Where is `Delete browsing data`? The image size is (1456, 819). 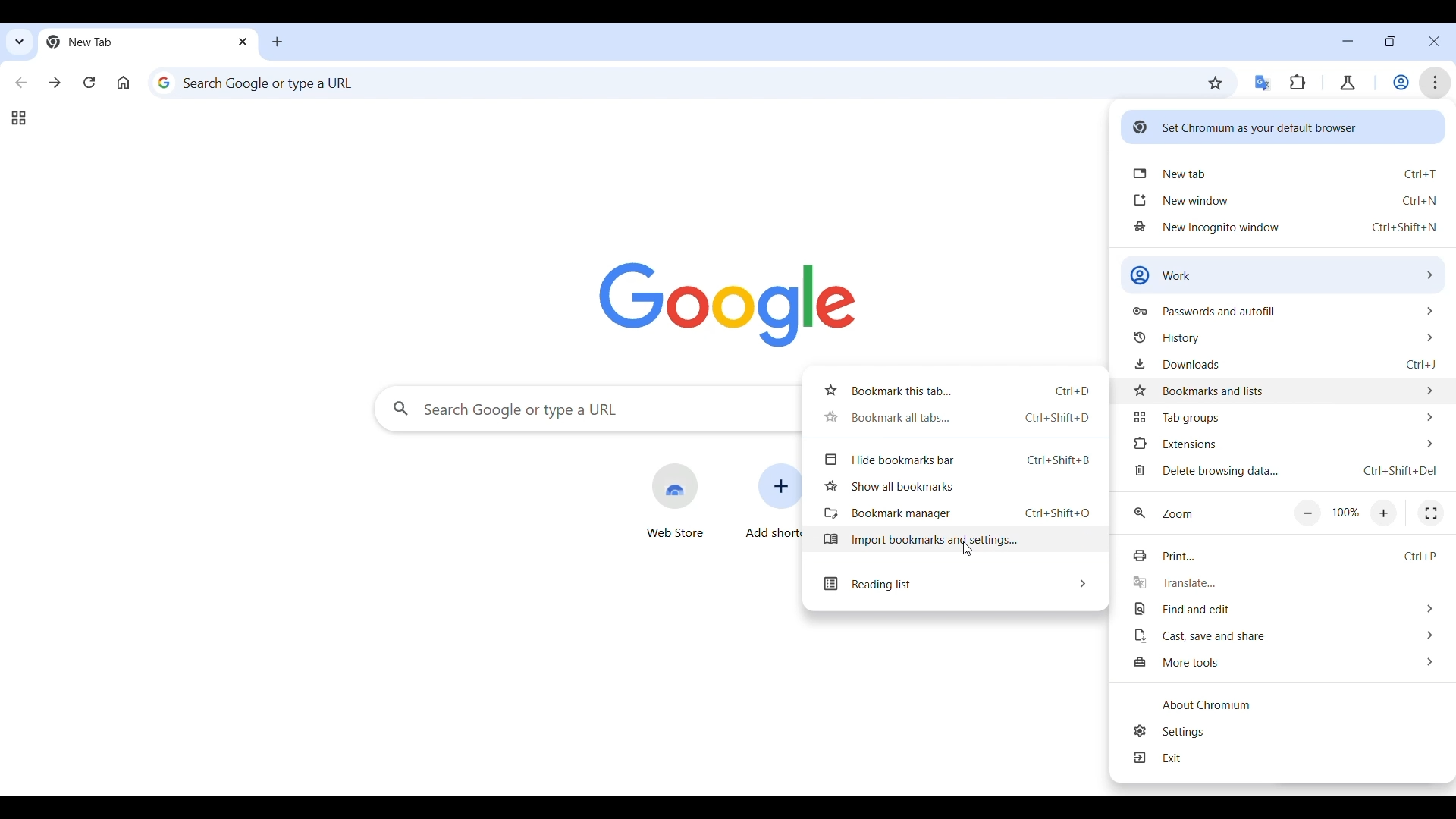 Delete browsing data is located at coordinates (1284, 470).